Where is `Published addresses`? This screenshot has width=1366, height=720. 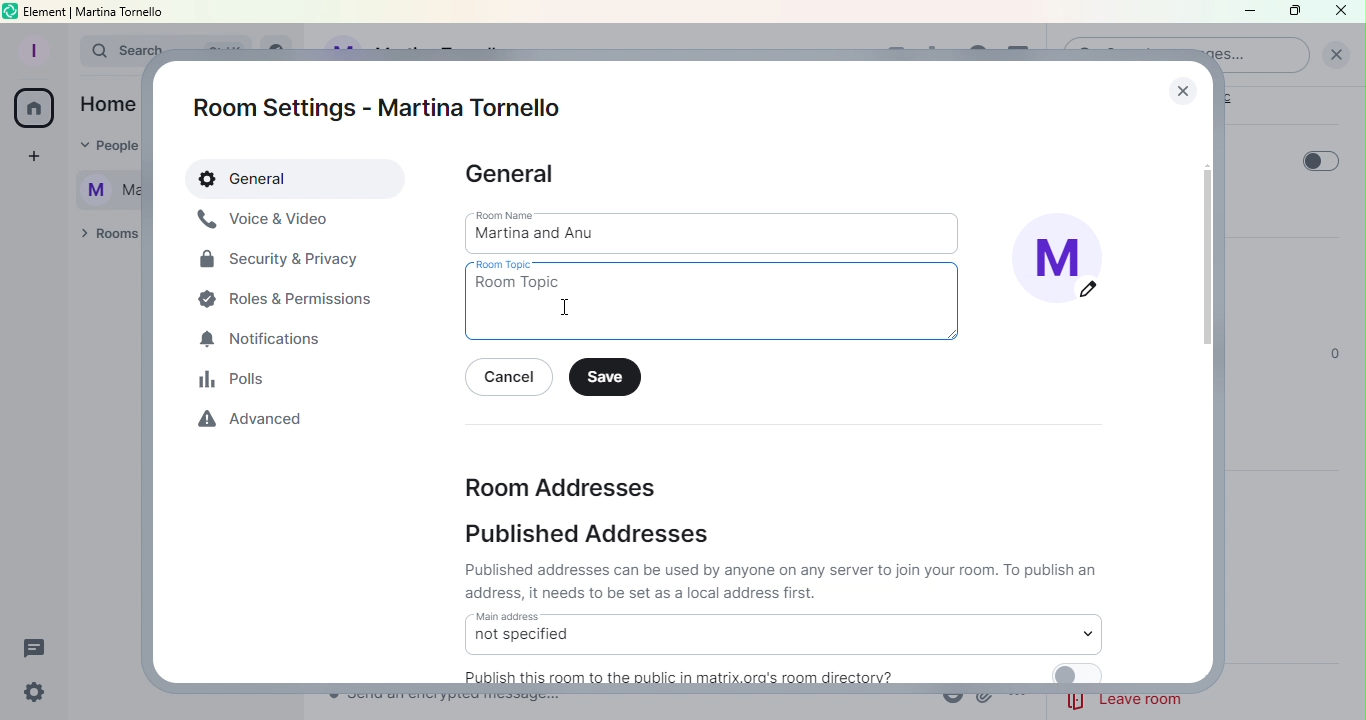
Published addresses is located at coordinates (593, 534).